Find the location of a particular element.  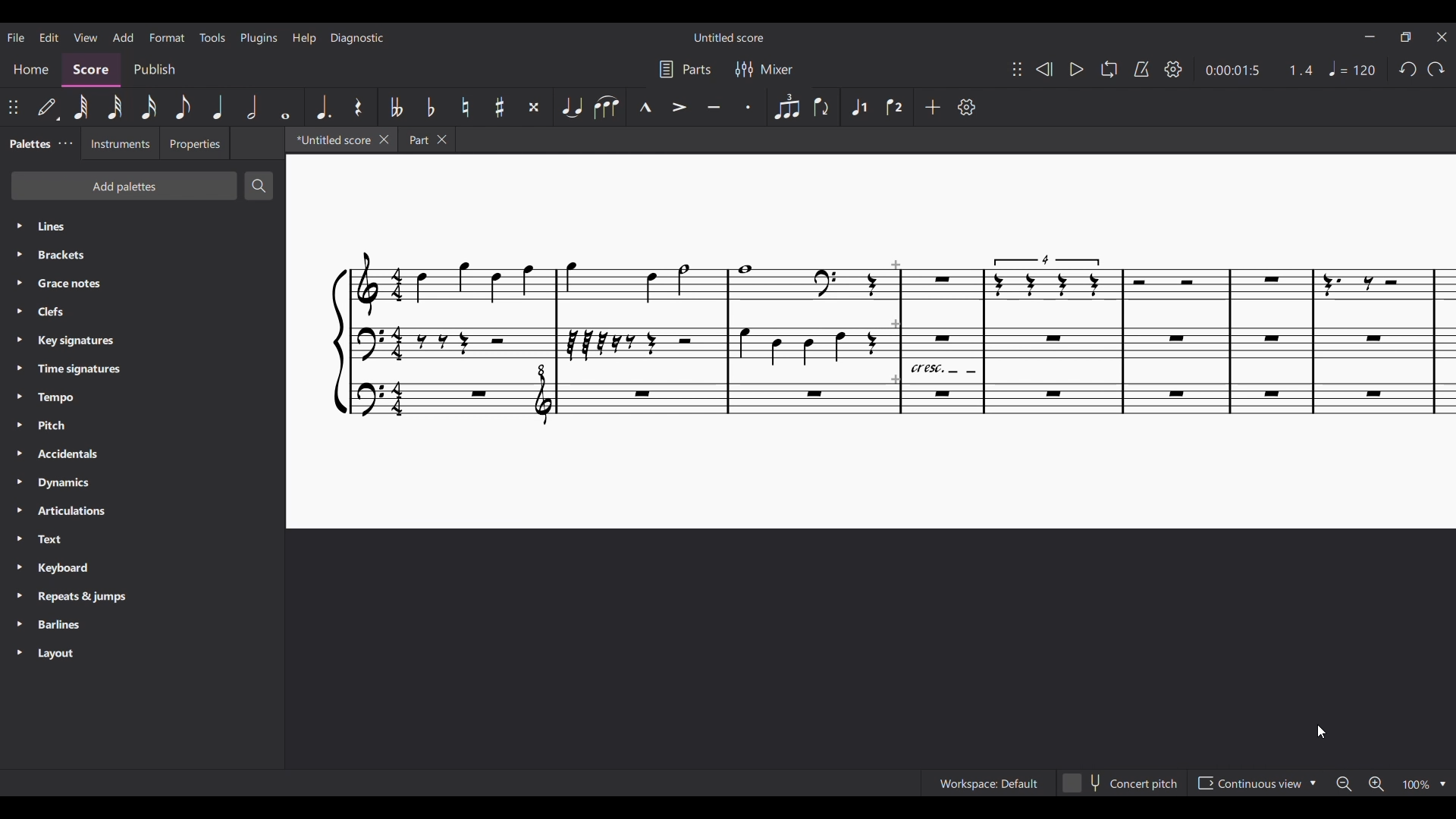

Play is located at coordinates (1077, 69).